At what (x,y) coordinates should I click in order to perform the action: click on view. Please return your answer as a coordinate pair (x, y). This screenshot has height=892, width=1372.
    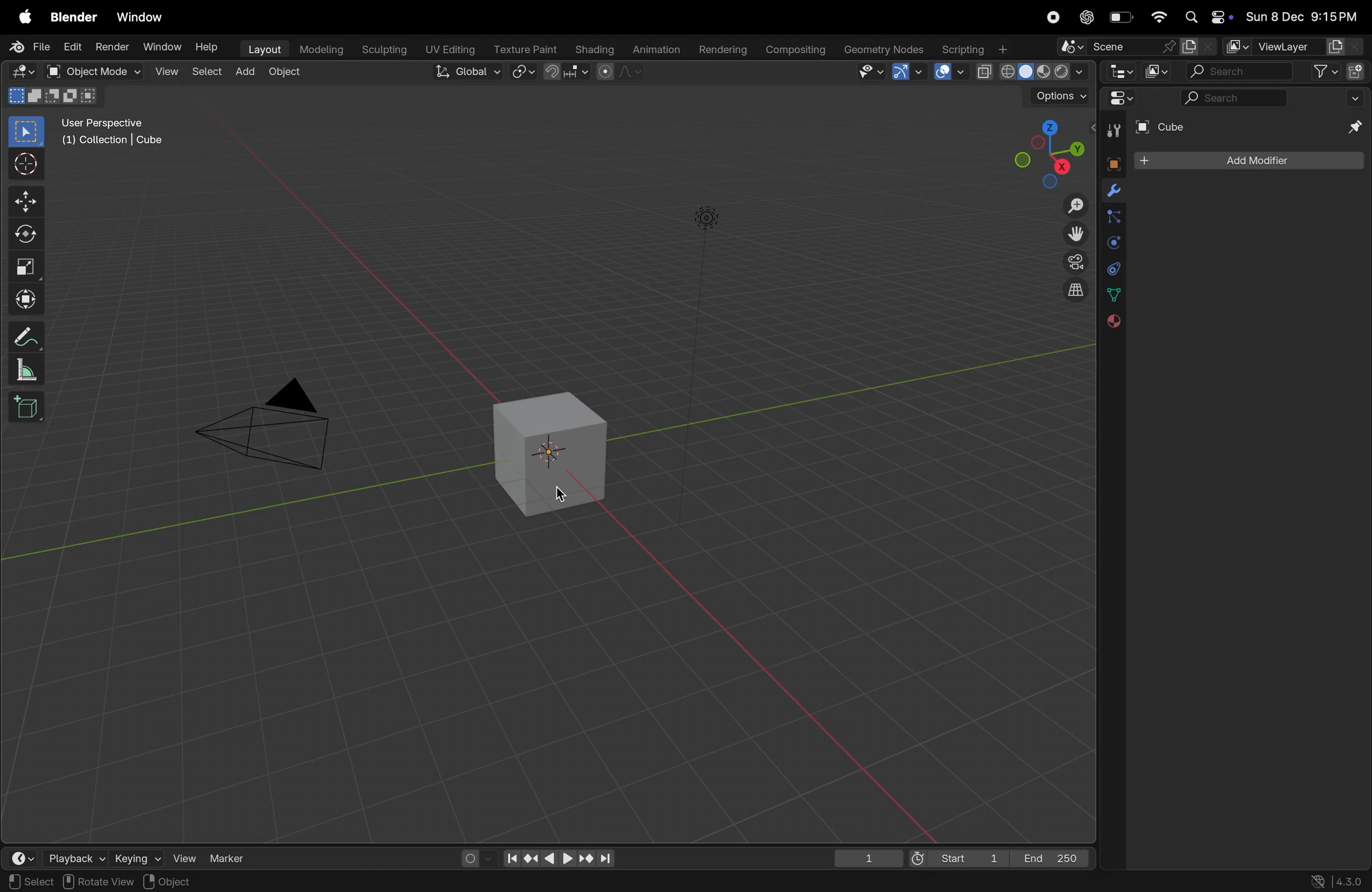
    Looking at the image, I should click on (183, 856).